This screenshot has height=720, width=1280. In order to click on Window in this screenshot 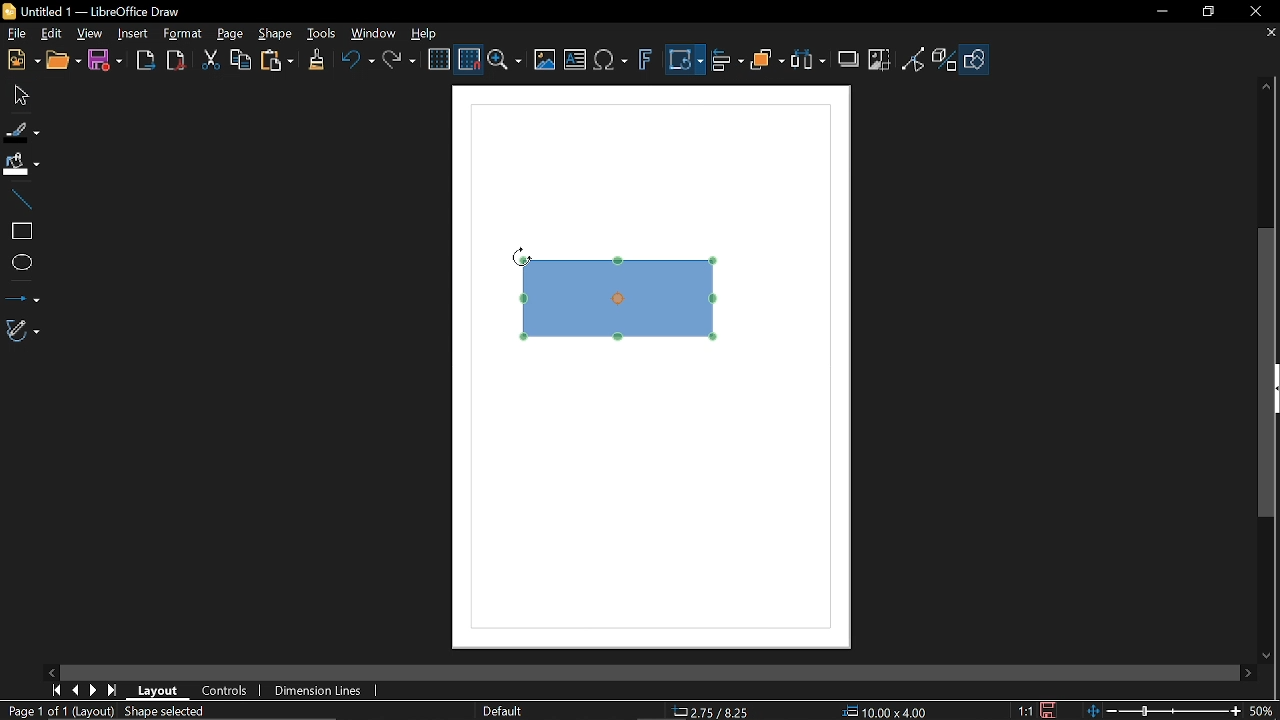, I will do `click(370, 35)`.